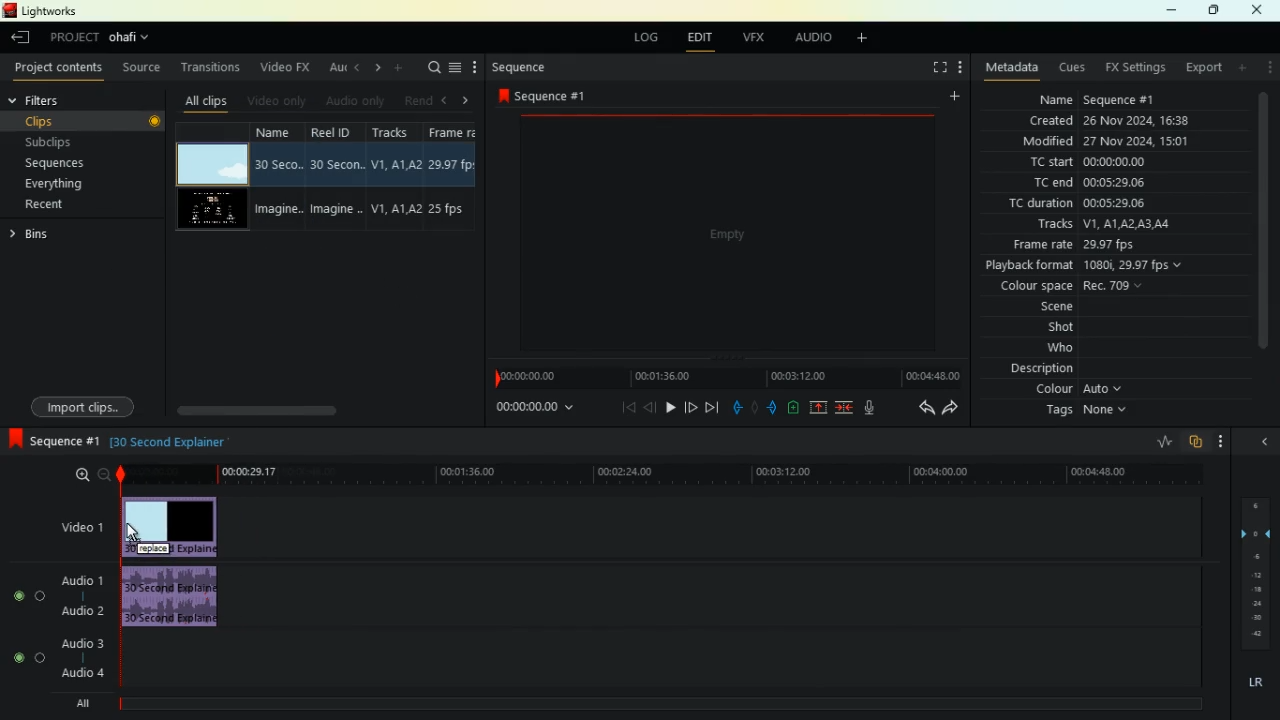  Describe the element at coordinates (1194, 444) in the screenshot. I see `overlap` at that location.